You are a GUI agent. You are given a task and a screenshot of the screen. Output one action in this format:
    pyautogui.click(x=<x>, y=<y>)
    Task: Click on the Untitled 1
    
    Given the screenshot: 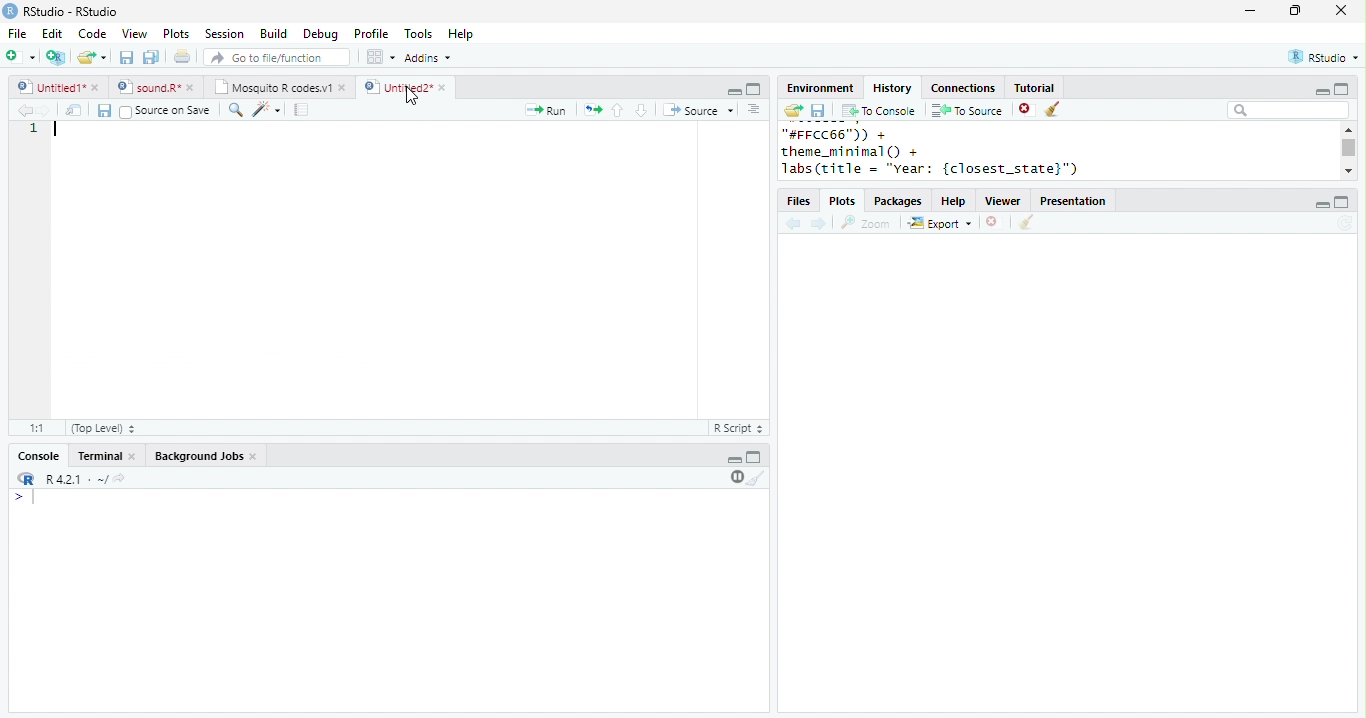 What is the action you would take?
    pyautogui.click(x=48, y=86)
    